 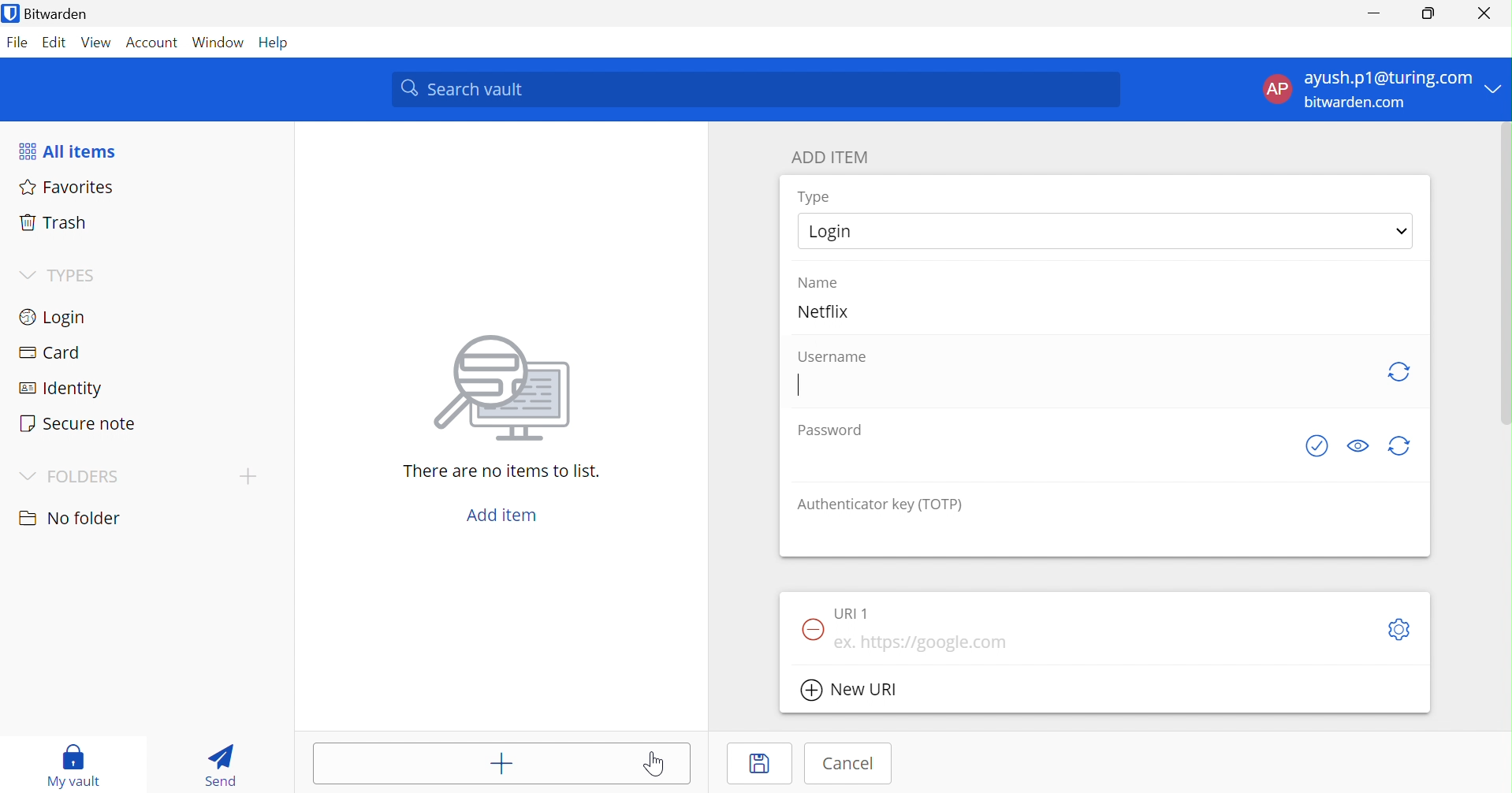 What do you see at coordinates (829, 157) in the screenshot?
I see `ADD ITEM` at bounding box center [829, 157].